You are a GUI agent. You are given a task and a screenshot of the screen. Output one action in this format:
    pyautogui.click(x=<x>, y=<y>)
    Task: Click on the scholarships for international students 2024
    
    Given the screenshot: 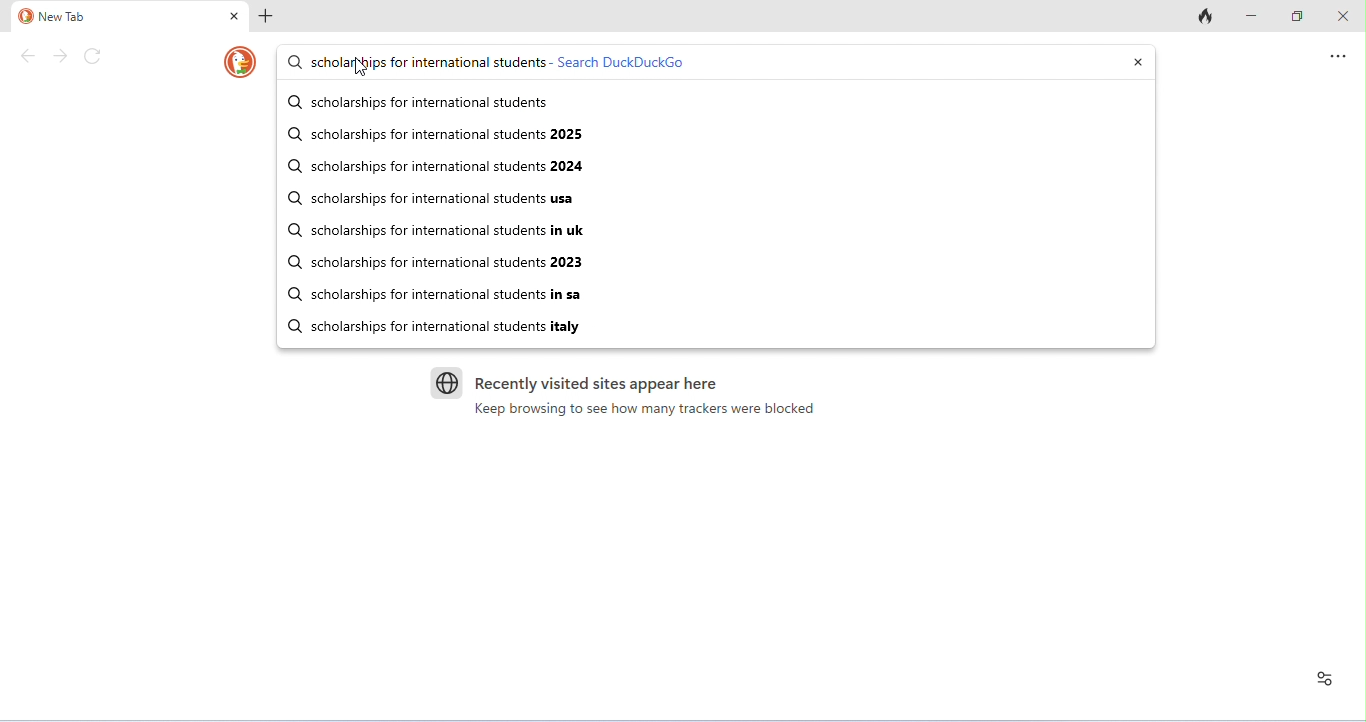 What is the action you would take?
    pyautogui.click(x=452, y=168)
    